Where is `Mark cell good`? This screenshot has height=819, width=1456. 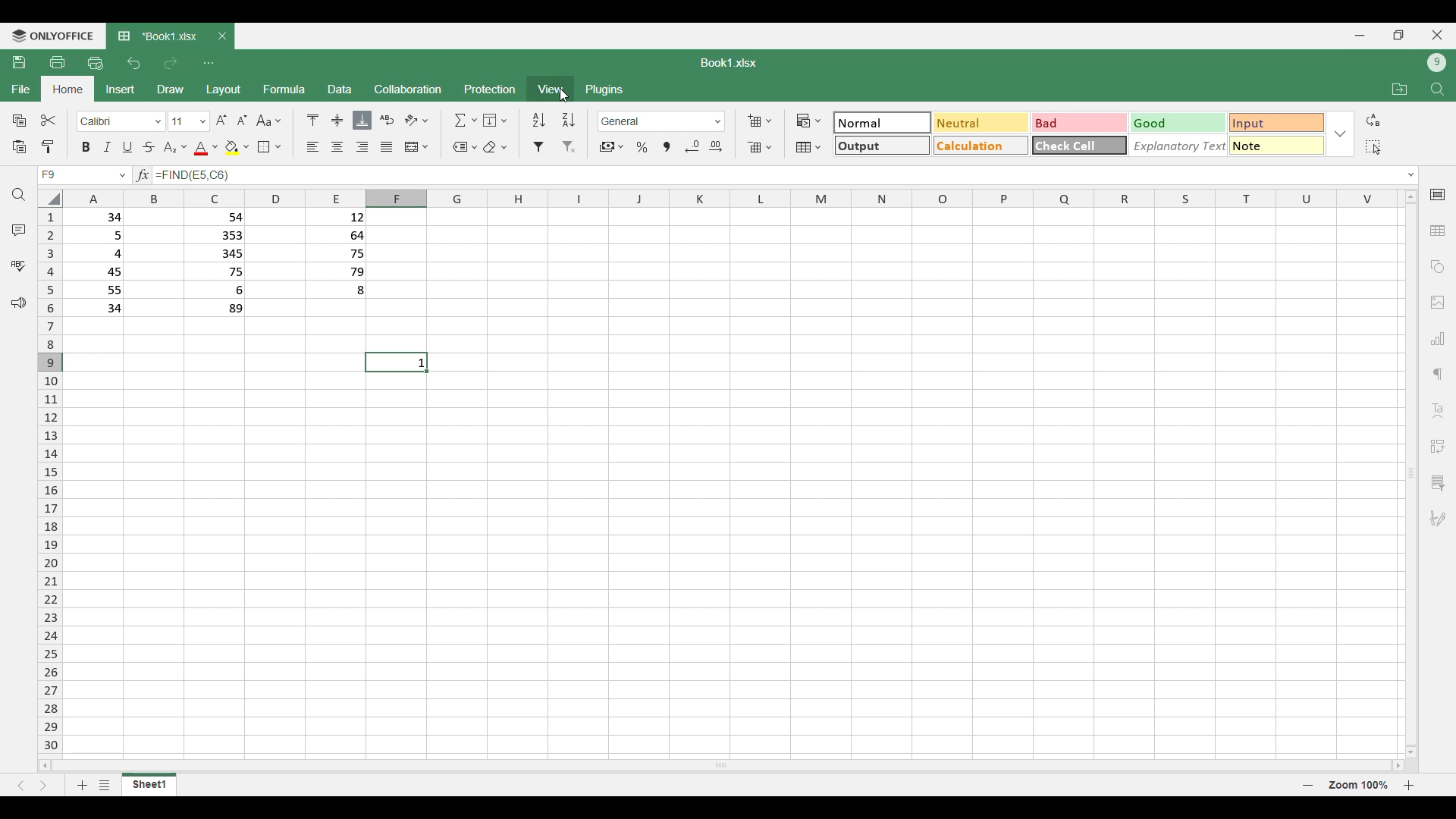
Mark cell good is located at coordinates (1178, 122).